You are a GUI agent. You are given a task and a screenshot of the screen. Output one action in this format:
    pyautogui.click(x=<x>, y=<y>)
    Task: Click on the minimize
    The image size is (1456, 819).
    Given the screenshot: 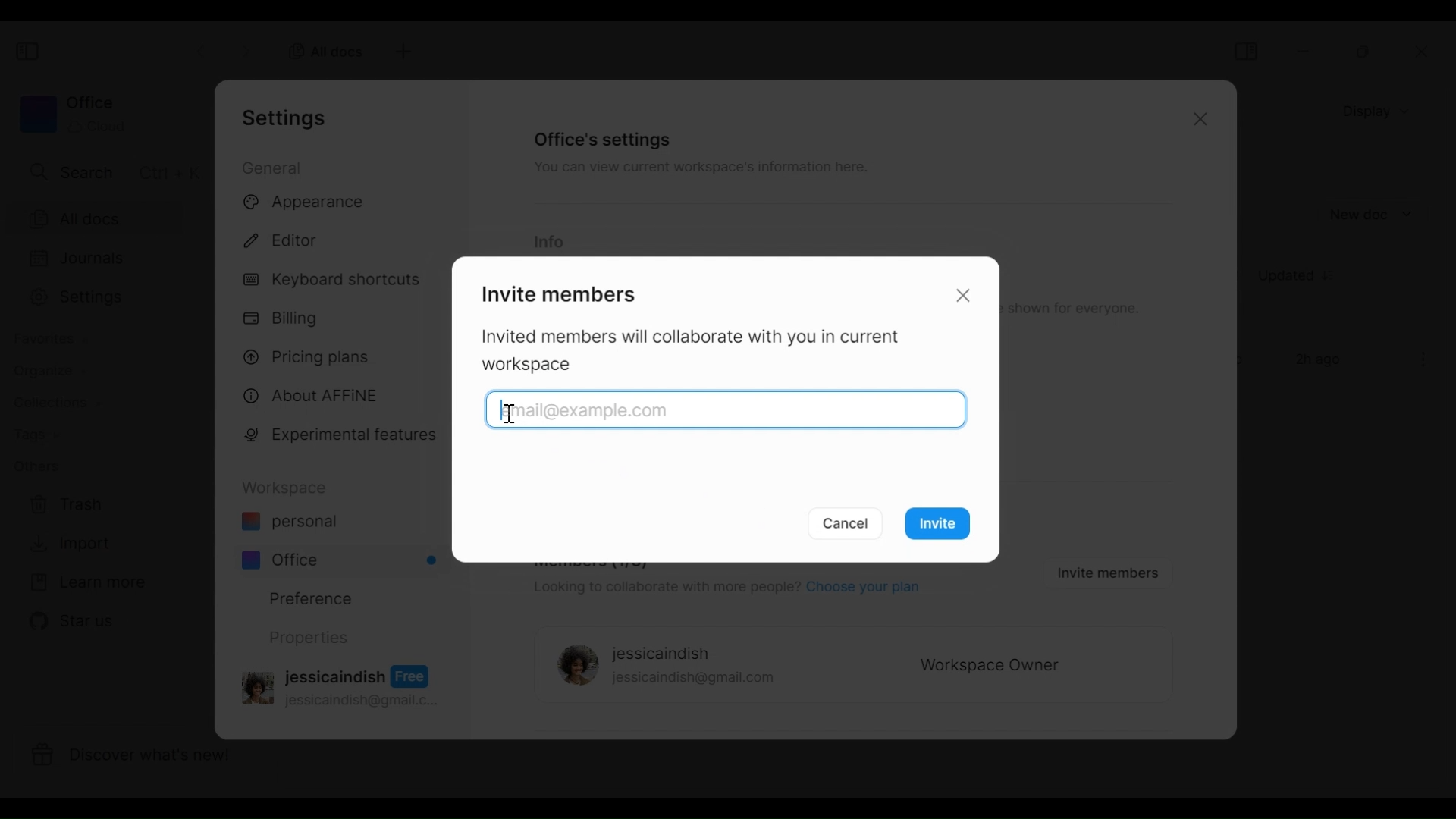 What is the action you would take?
    pyautogui.click(x=1307, y=51)
    